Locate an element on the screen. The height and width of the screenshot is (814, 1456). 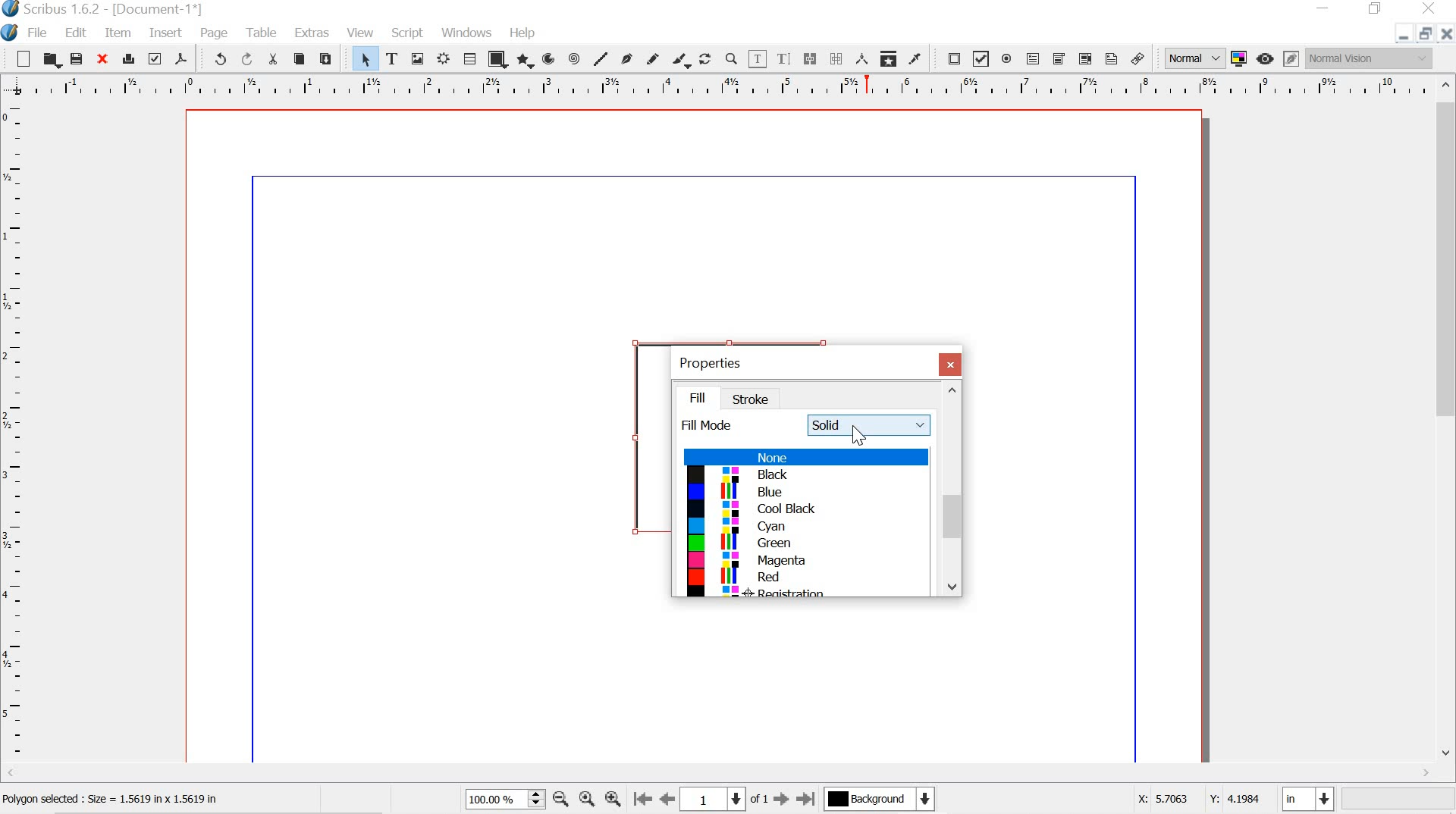
link text frames is located at coordinates (811, 58).